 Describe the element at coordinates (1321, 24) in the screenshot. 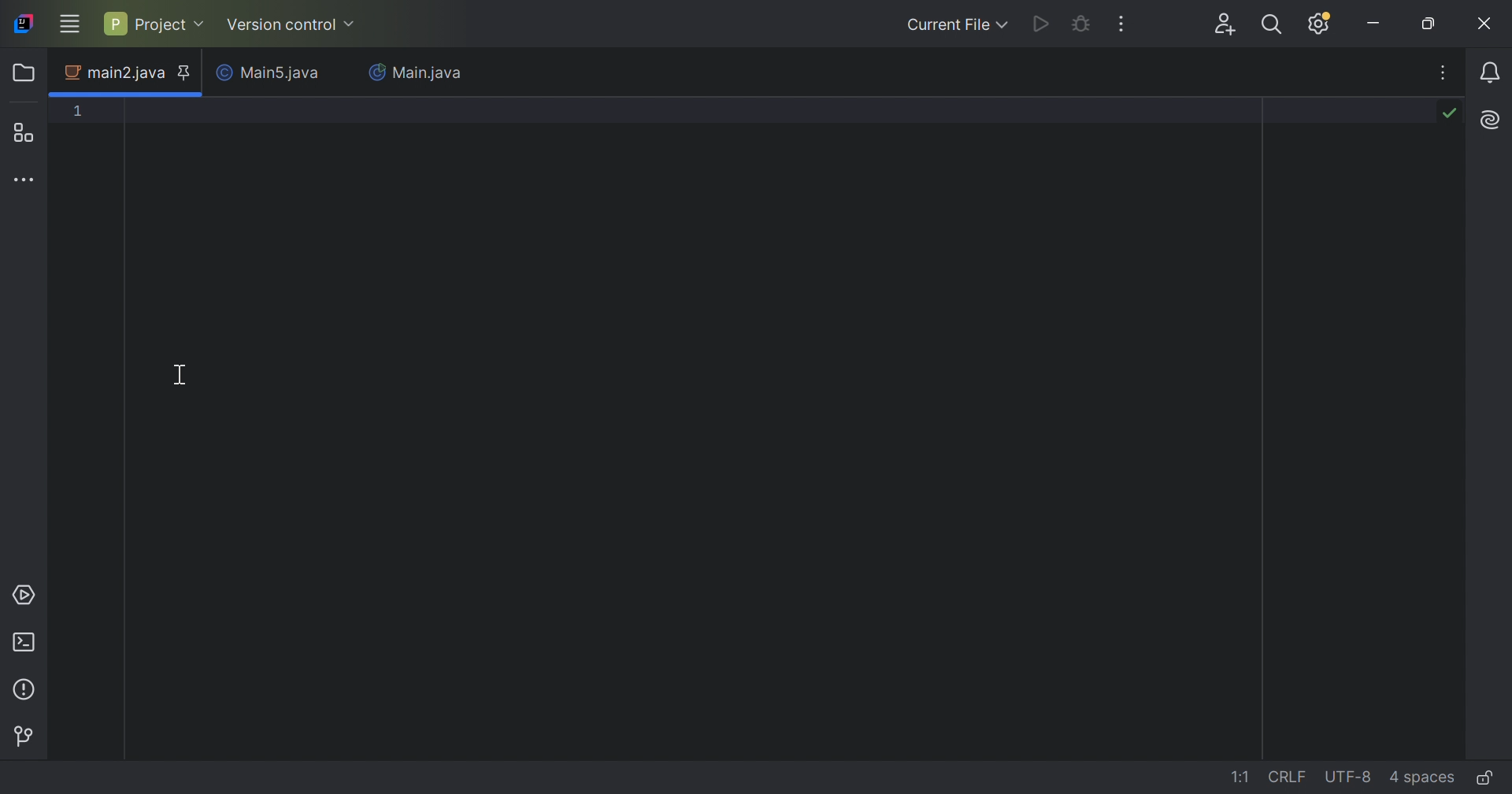

I see `Updates available. IDE and Project Settings.` at that location.